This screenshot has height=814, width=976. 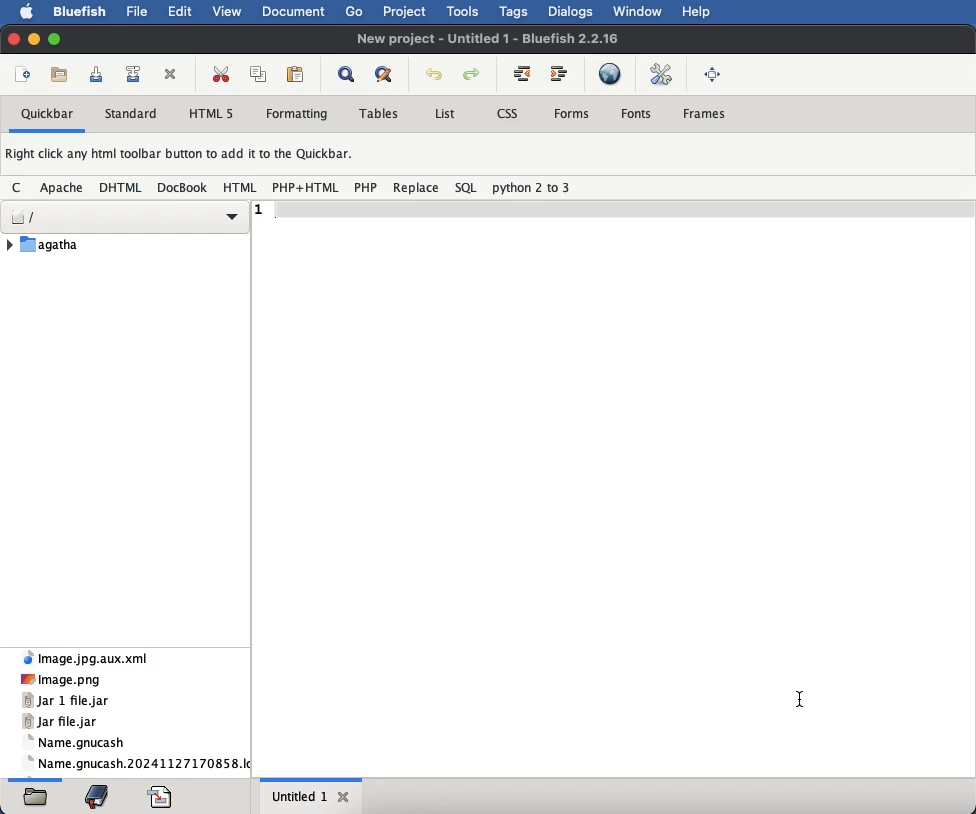 What do you see at coordinates (187, 157) in the screenshot?
I see `Right click any html toolbar button to add it to the Quickbar` at bounding box center [187, 157].